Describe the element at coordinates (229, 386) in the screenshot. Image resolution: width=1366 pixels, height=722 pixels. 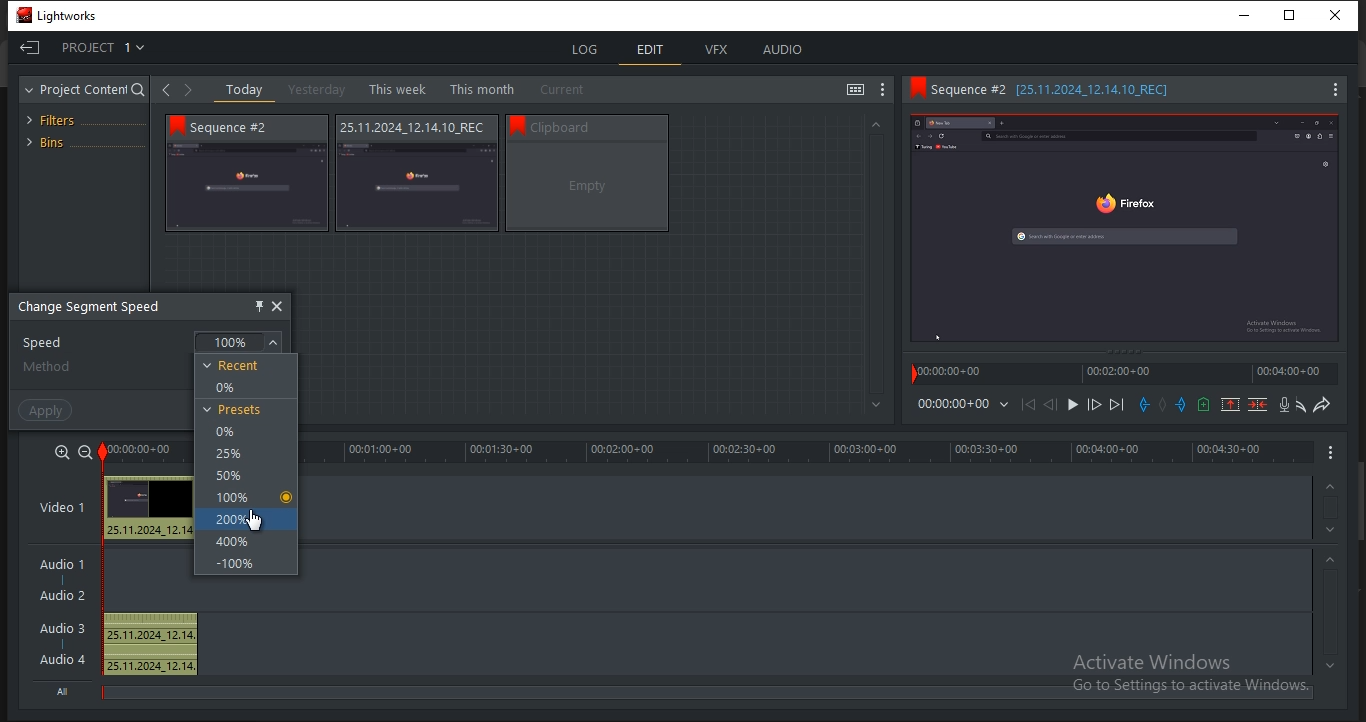
I see `0` at that location.